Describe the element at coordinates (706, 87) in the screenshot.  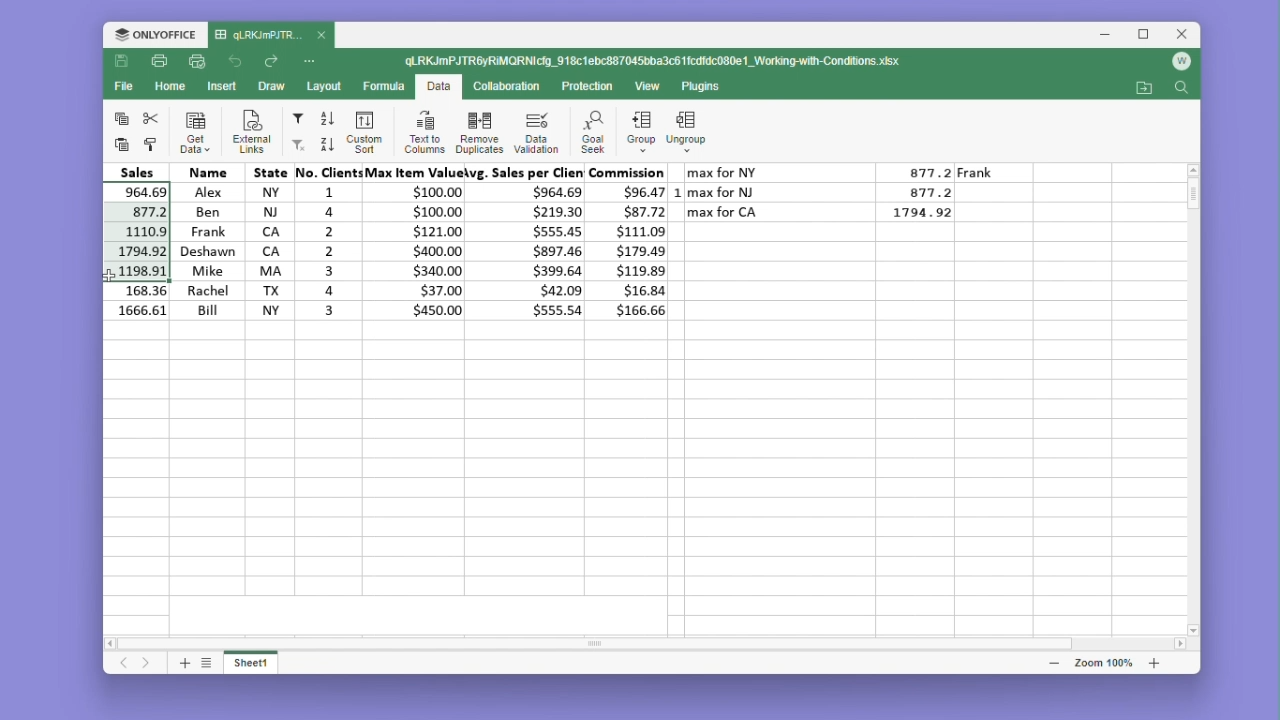
I see `Plugins ` at that location.